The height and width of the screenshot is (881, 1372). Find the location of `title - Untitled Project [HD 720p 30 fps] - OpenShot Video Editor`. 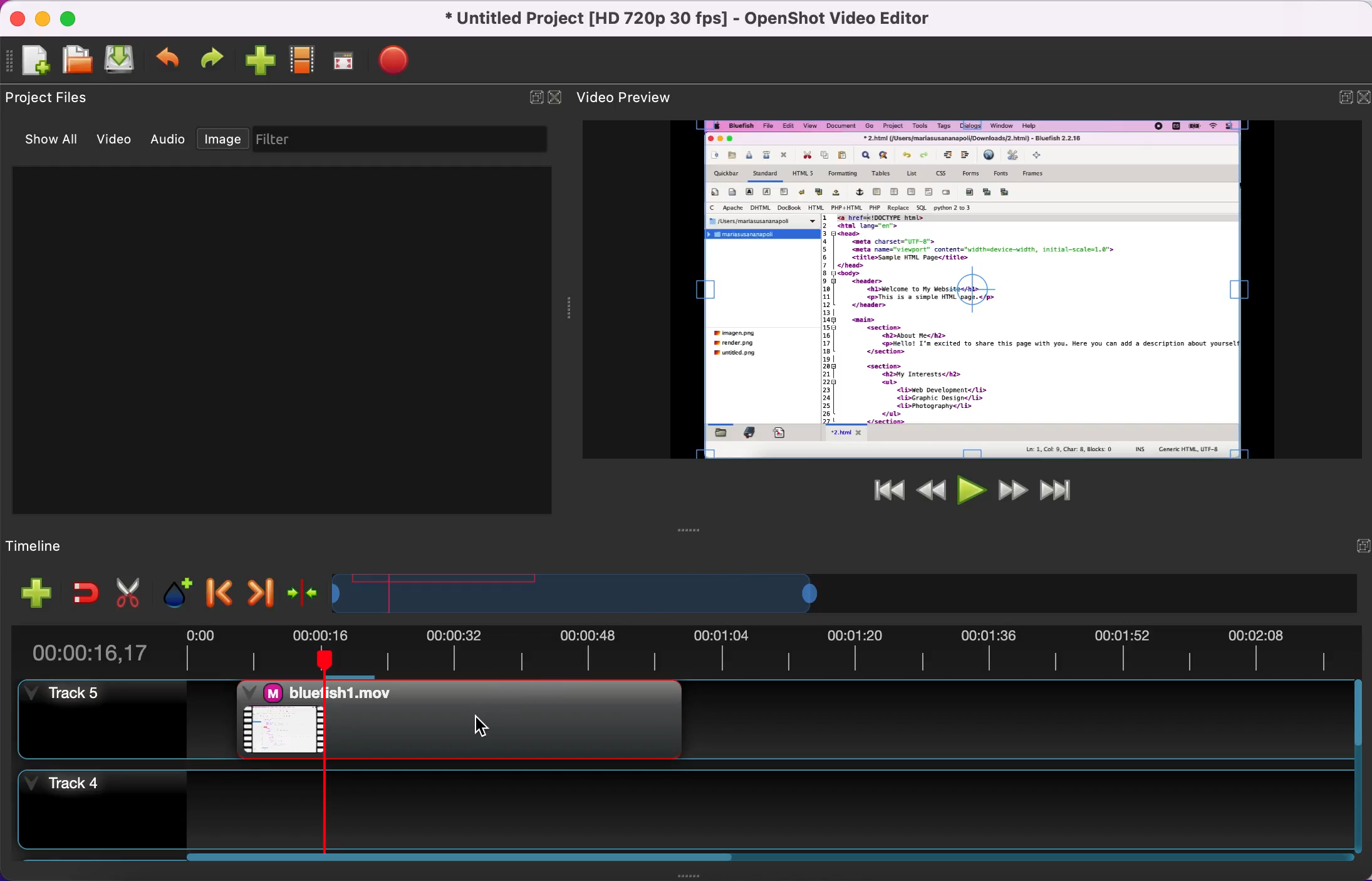

title - Untitled Project [HD 720p 30 fps] - OpenShot Video Editor is located at coordinates (689, 19).